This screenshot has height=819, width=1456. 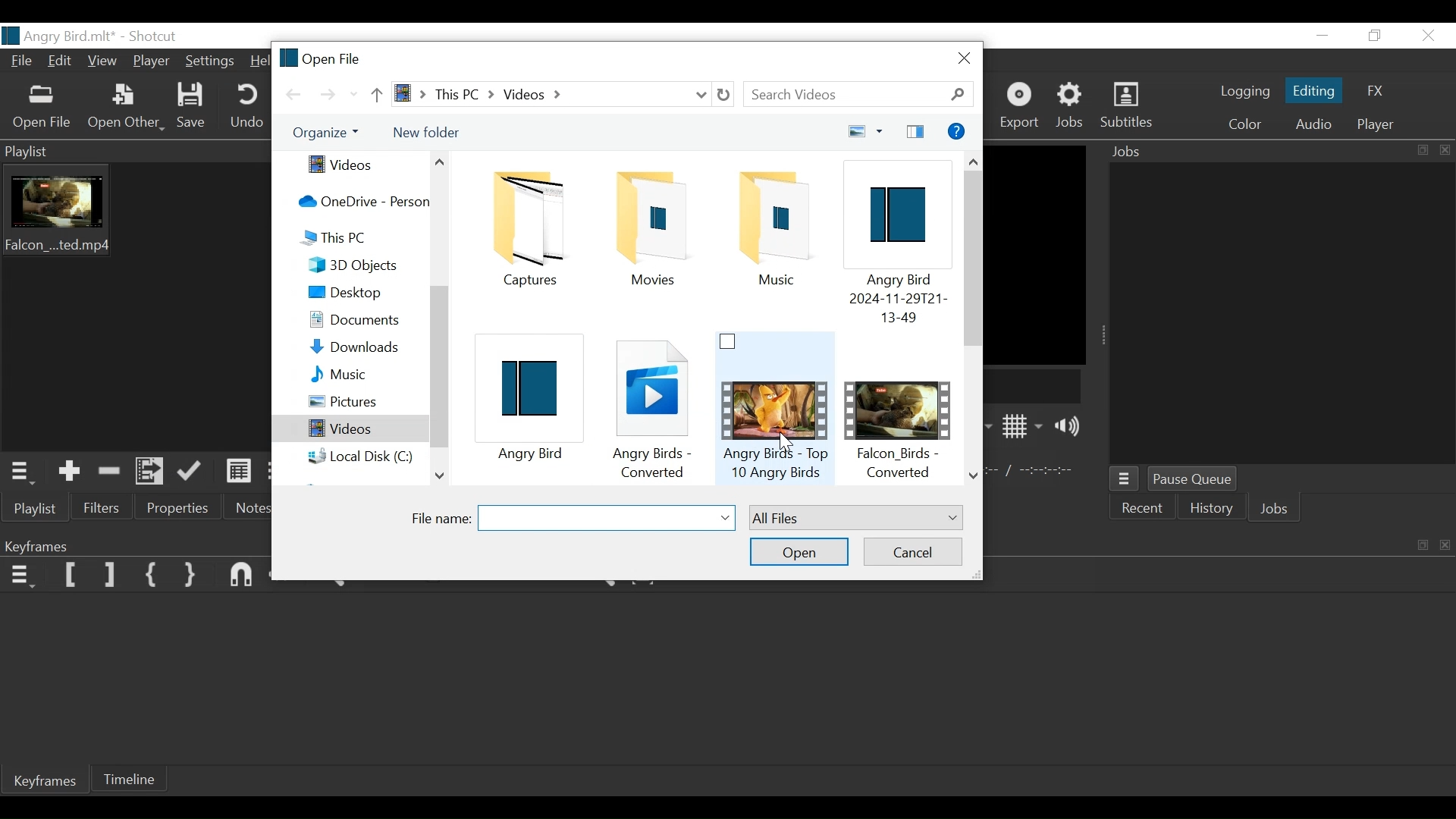 What do you see at coordinates (861, 96) in the screenshot?
I see `Search` at bounding box center [861, 96].